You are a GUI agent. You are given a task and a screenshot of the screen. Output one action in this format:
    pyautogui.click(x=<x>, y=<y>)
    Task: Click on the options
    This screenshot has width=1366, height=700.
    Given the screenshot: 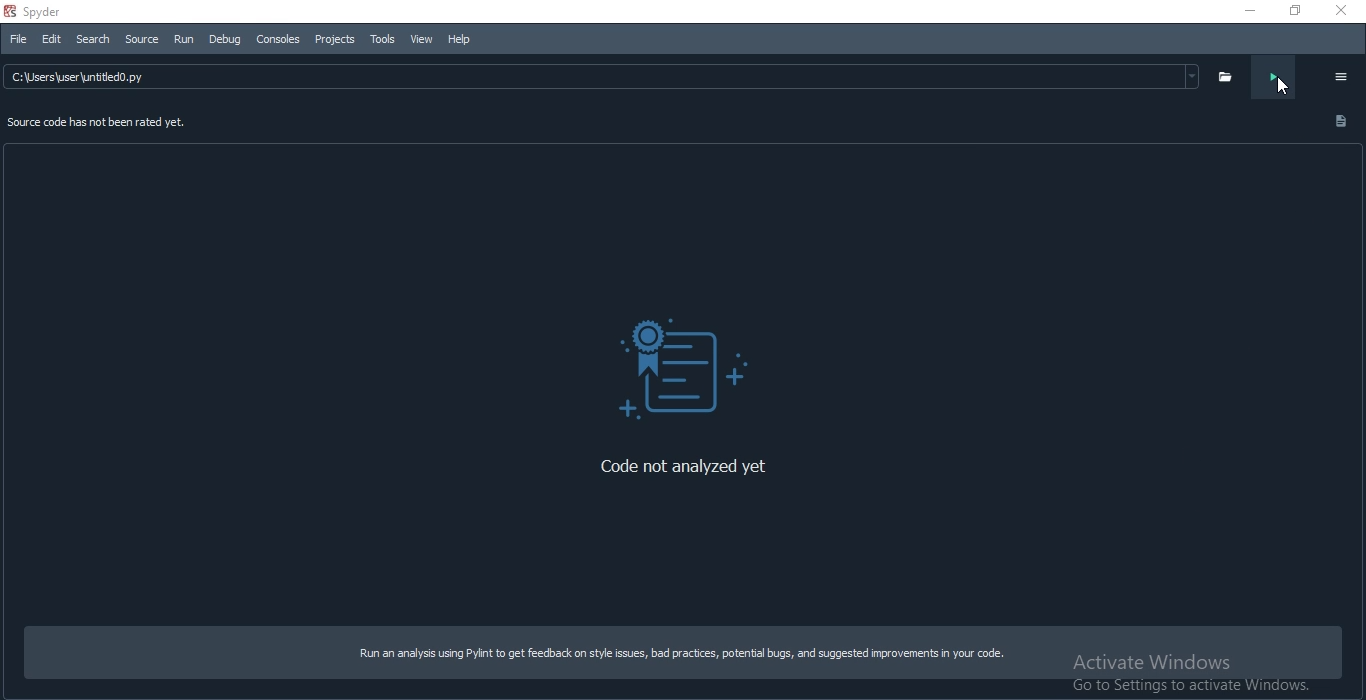 What is the action you would take?
    pyautogui.click(x=1340, y=77)
    